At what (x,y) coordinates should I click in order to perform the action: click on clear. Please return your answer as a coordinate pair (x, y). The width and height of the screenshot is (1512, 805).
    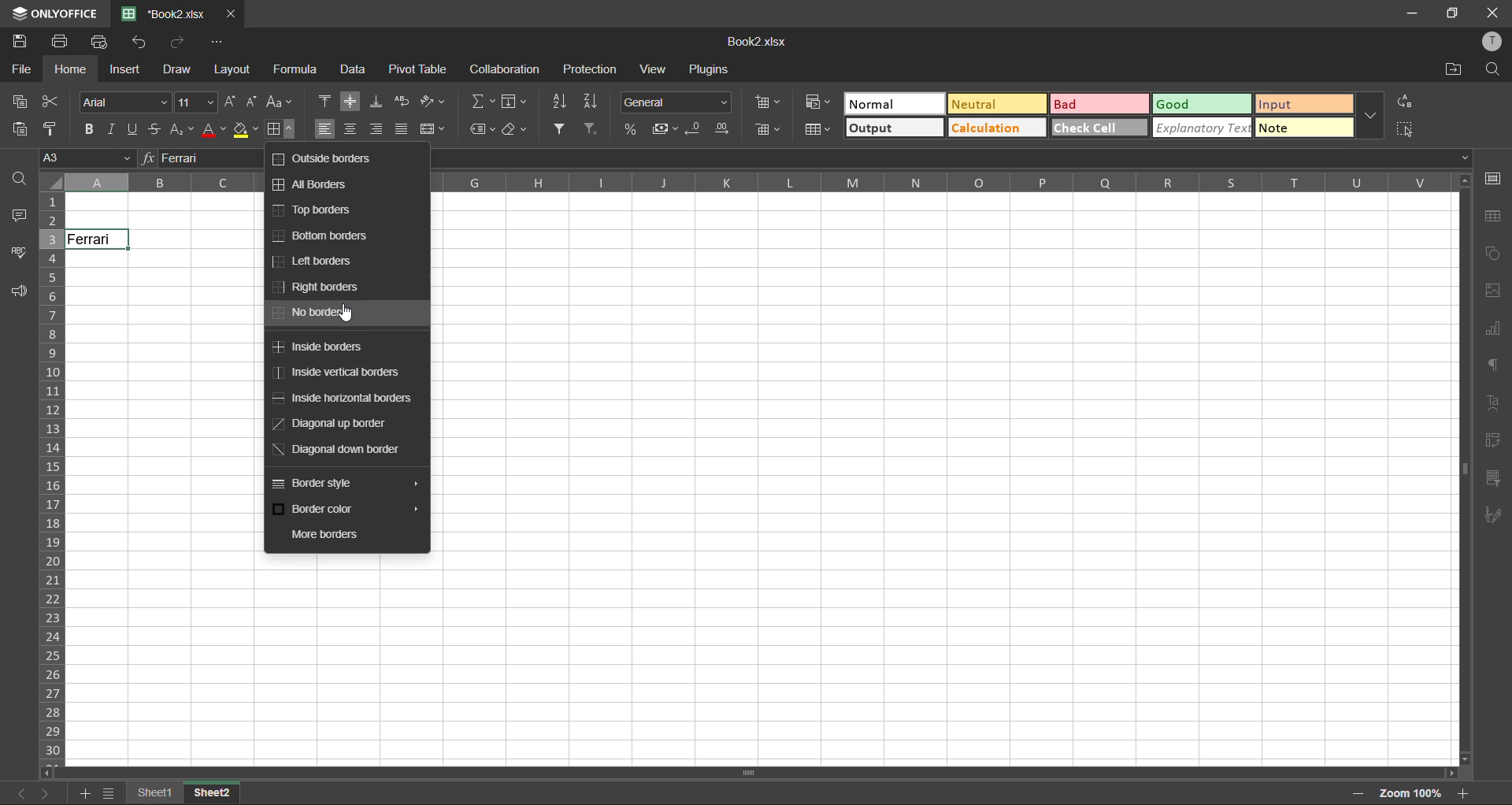
    Looking at the image, I should click on (517, 133).